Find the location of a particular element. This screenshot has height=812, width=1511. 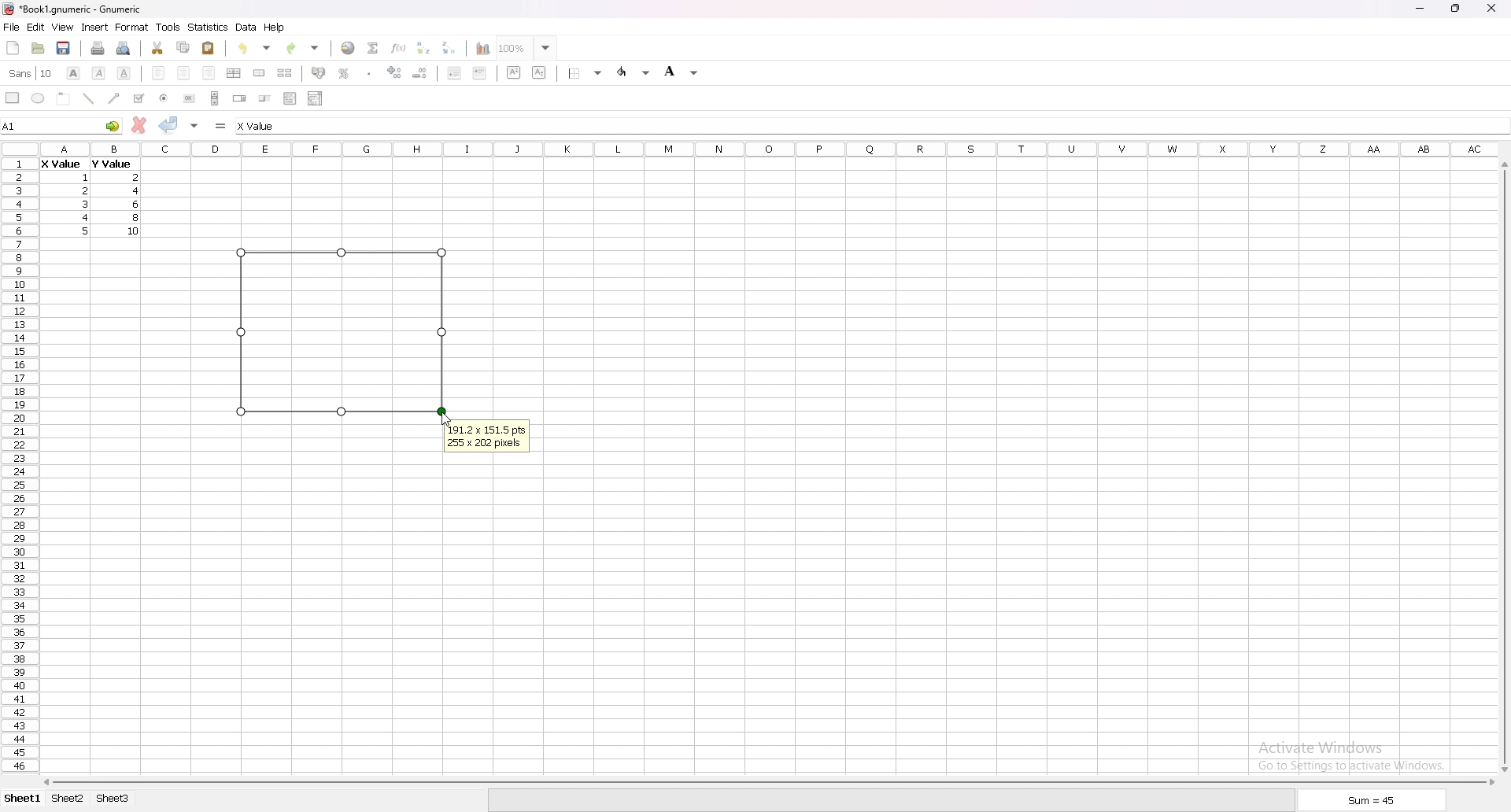

value is located at coordinates (135, 231).